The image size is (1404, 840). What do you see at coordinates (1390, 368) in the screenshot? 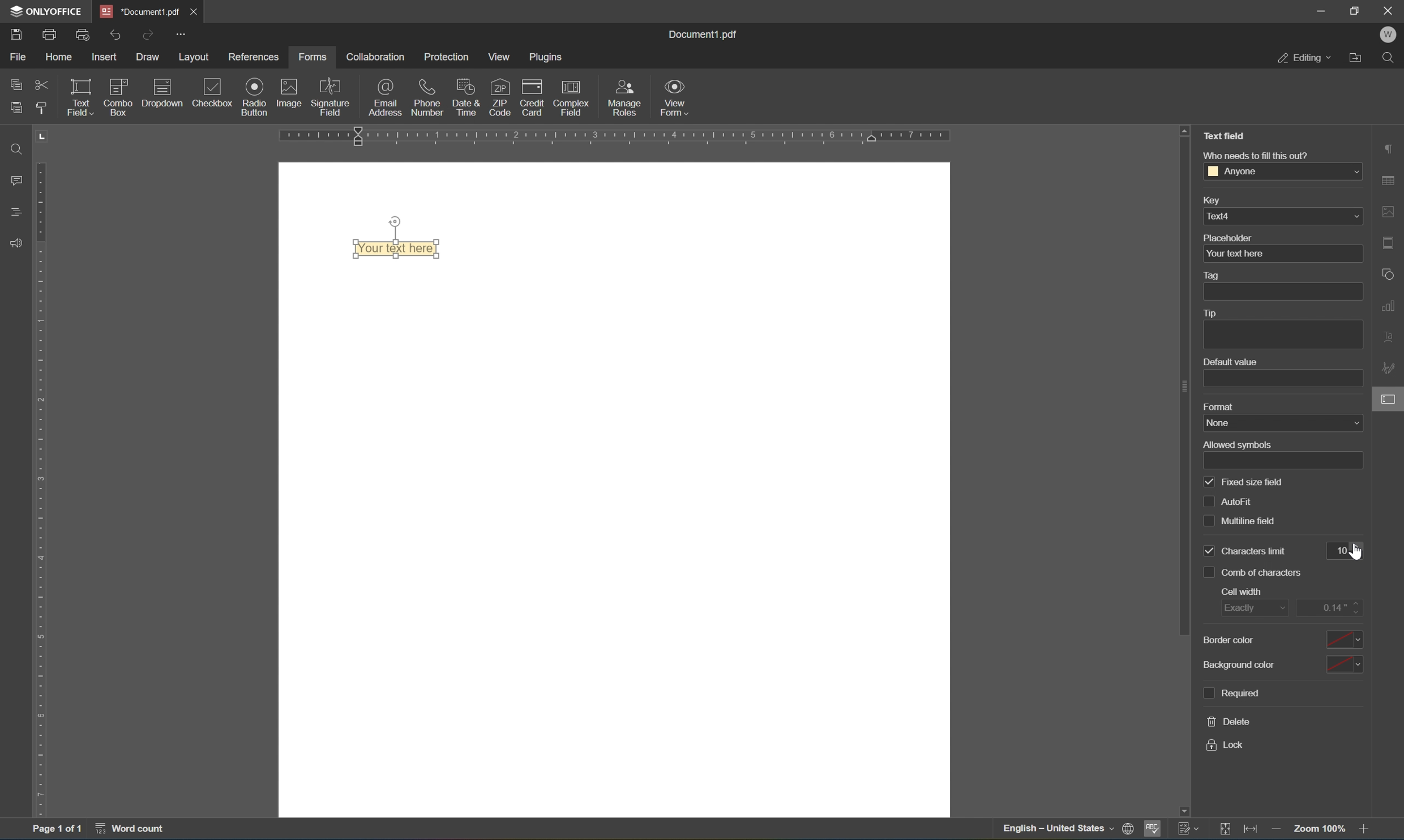
I see `signature settings` at bounding box center [1390, 368].